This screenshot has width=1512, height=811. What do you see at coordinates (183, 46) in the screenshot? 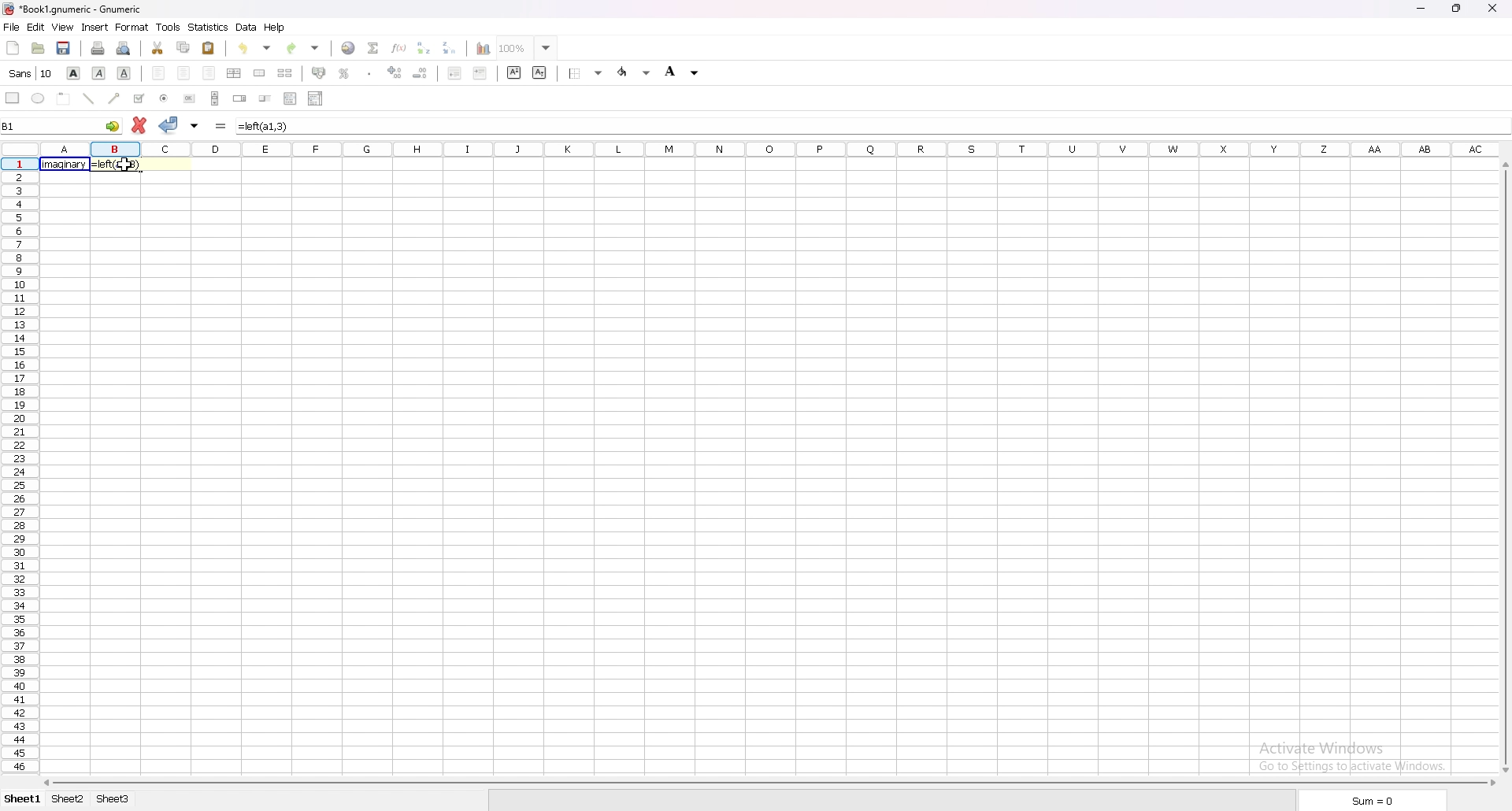
I see `copy` at bounding box center [183, 46].